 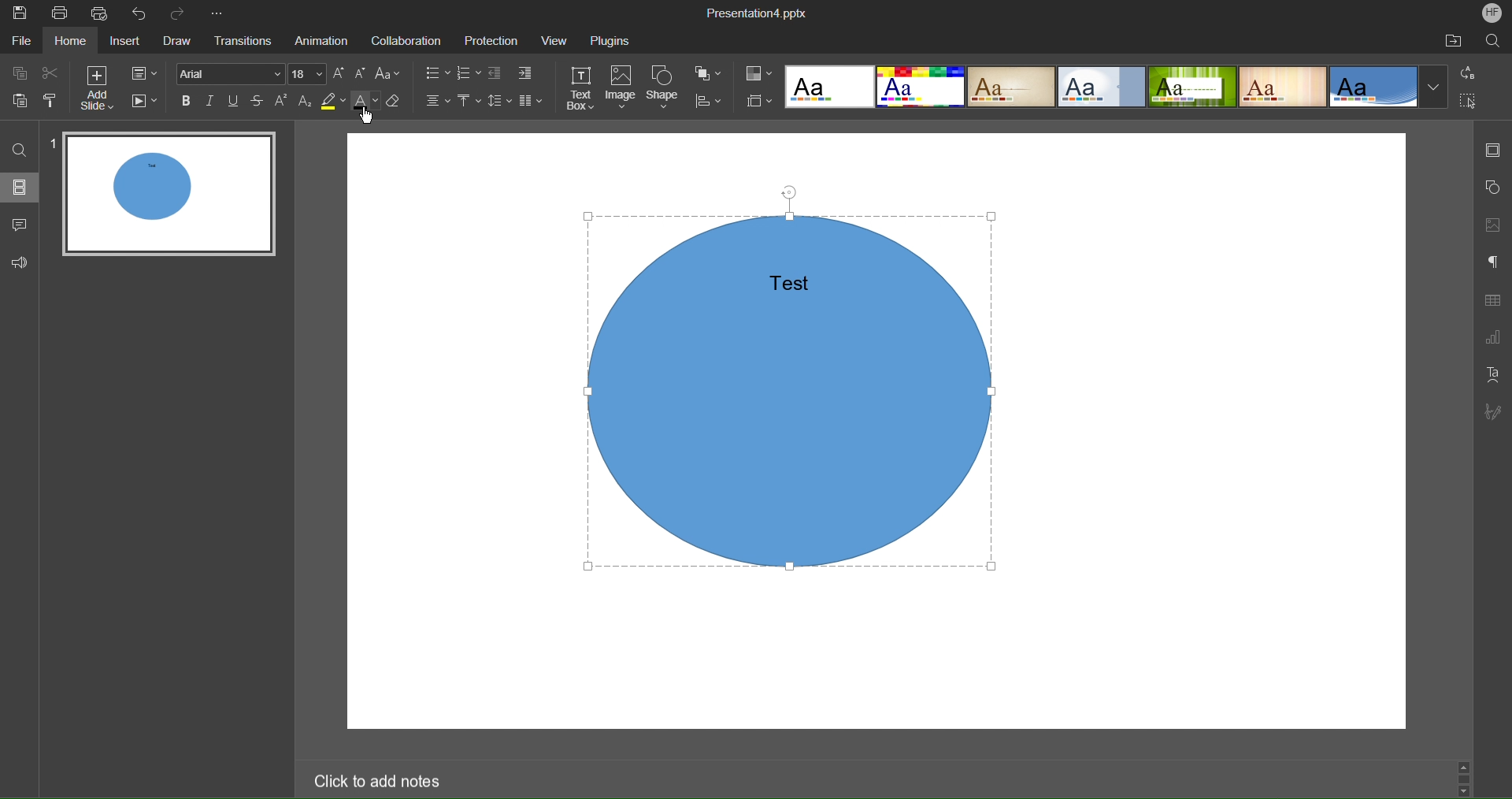 What do you see at coordinates (1492, 414) in the screenshot?
I see `Signature` at bounding box center [1492, 414].